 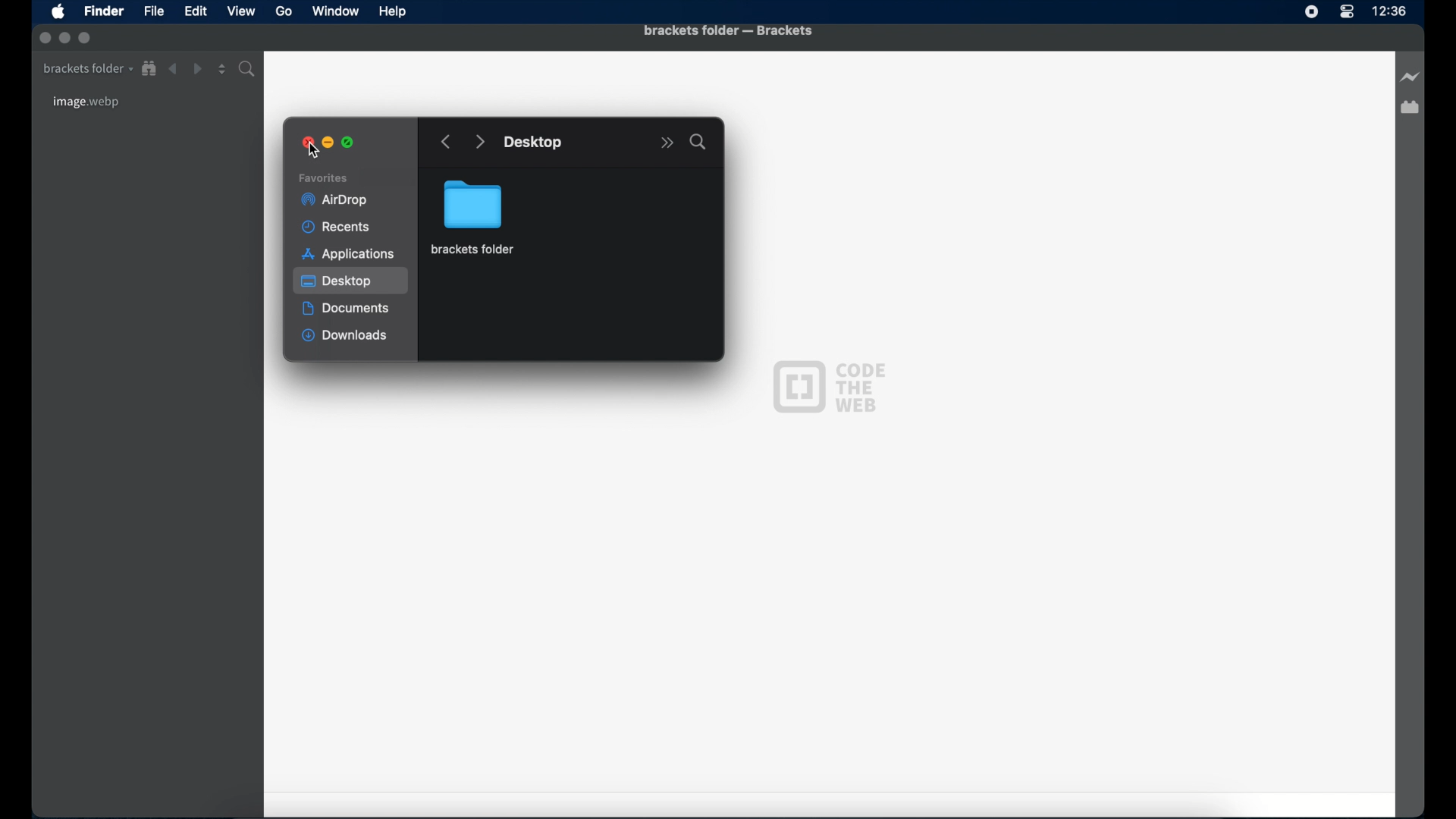 What do you see at coordinates (197, 69) in the screenshot?
I see `forward` at bounding box center [197, 69].